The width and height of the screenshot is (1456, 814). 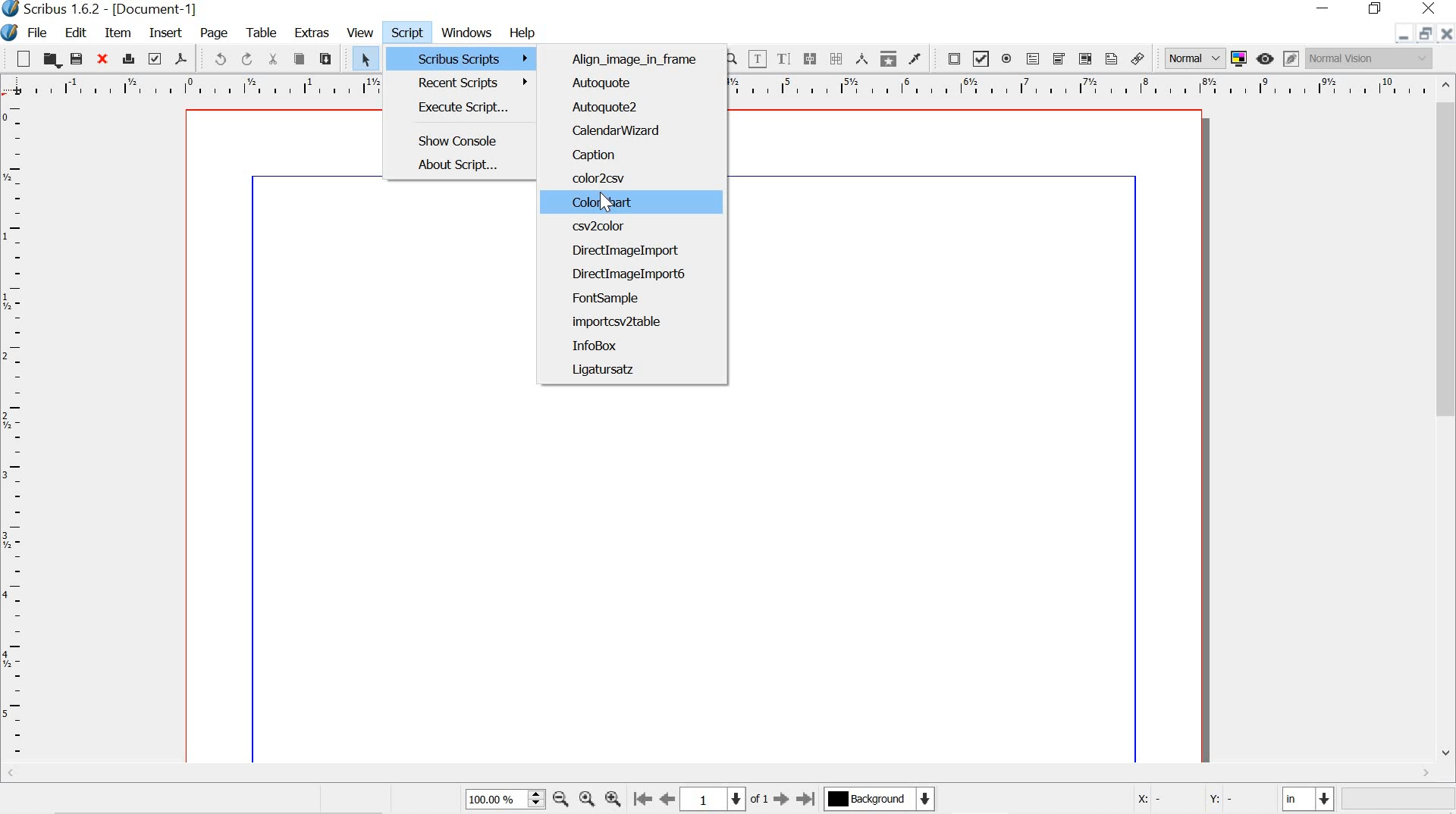 I want to click on zoom in or out, so click(x=732, y=59).